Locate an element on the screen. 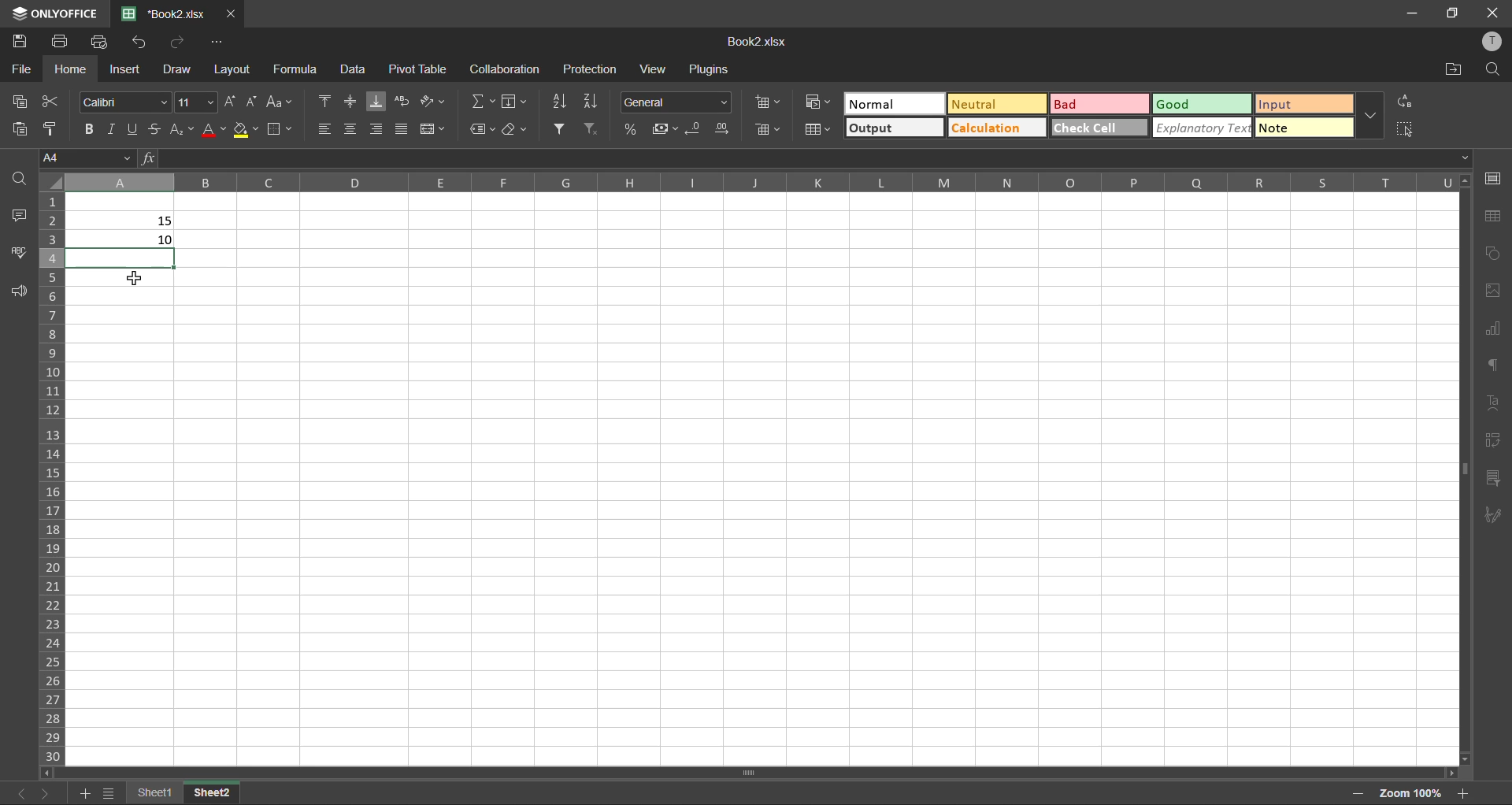  neutral is located at coordinates (999, 106).